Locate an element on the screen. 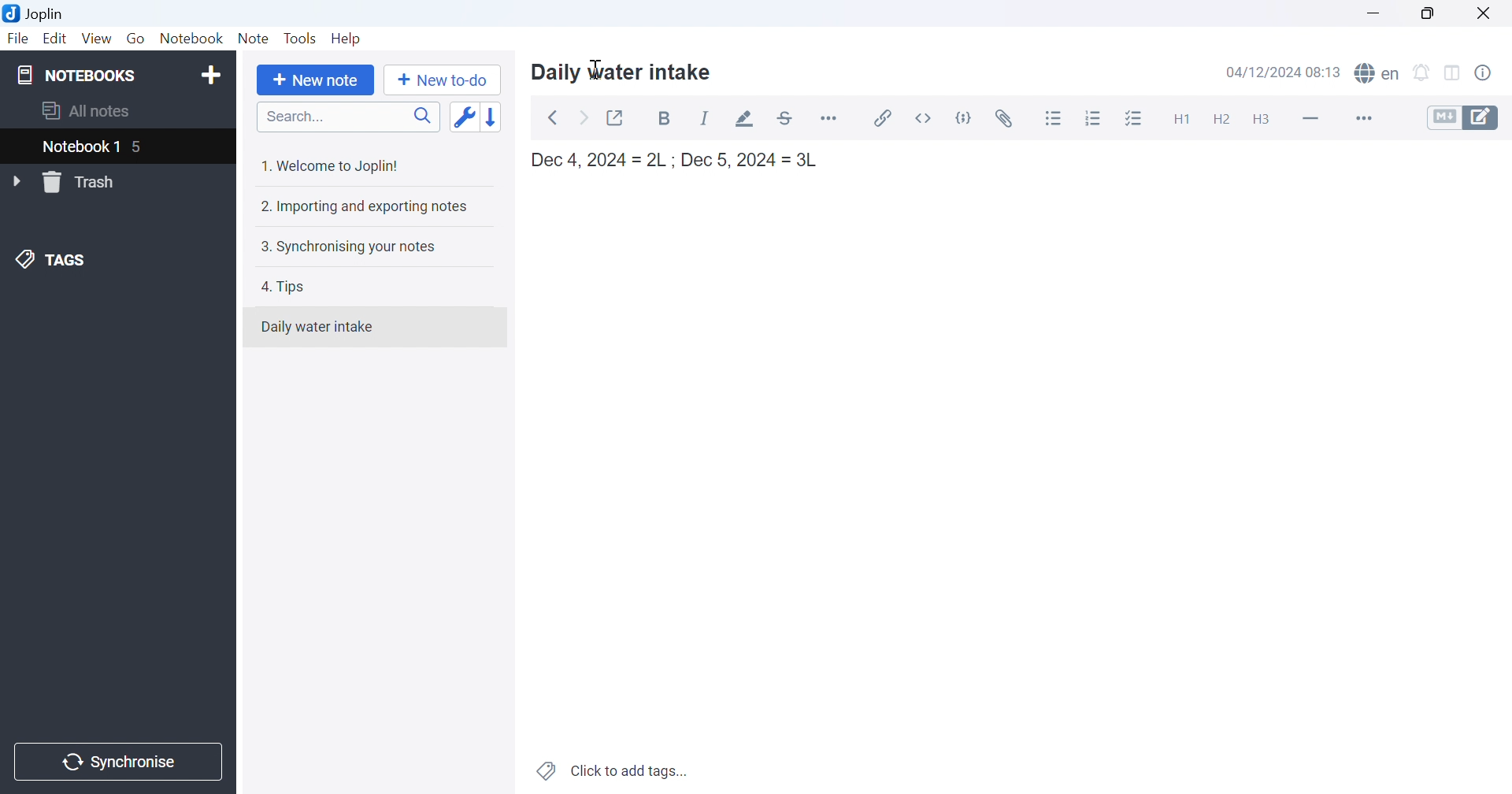 The height and width of the screenshot is (794, 1512). Numbered list is located at coordinates (1093, 119).